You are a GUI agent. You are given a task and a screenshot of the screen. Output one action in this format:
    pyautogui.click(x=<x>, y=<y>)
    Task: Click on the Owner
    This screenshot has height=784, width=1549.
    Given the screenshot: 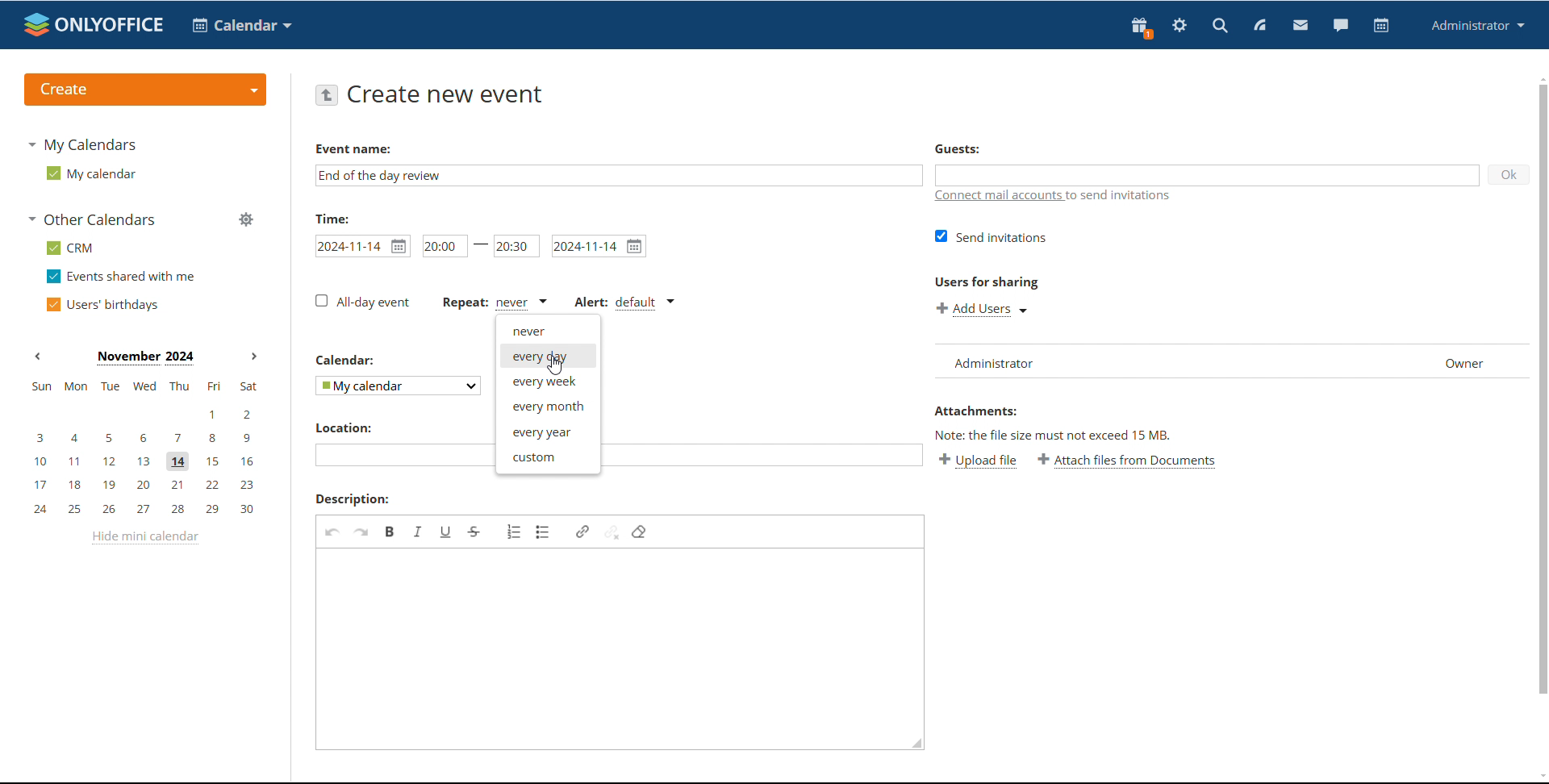 What is the action you would take?
    pyautogui.click(x=1480, y=361)
    